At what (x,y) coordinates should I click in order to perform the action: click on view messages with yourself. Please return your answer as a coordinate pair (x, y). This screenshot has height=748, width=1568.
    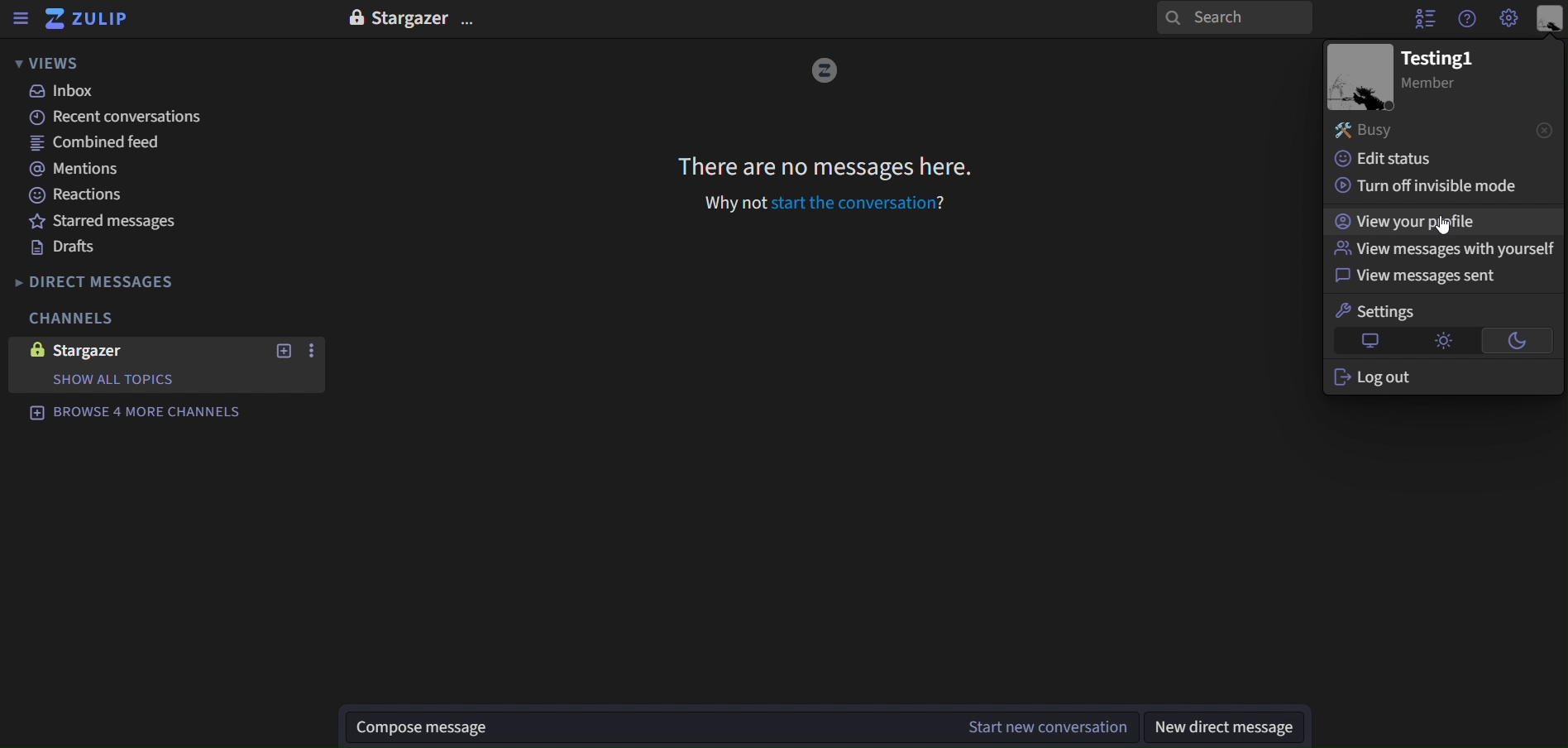
    Looking at the image, I should click on (1441, 247).